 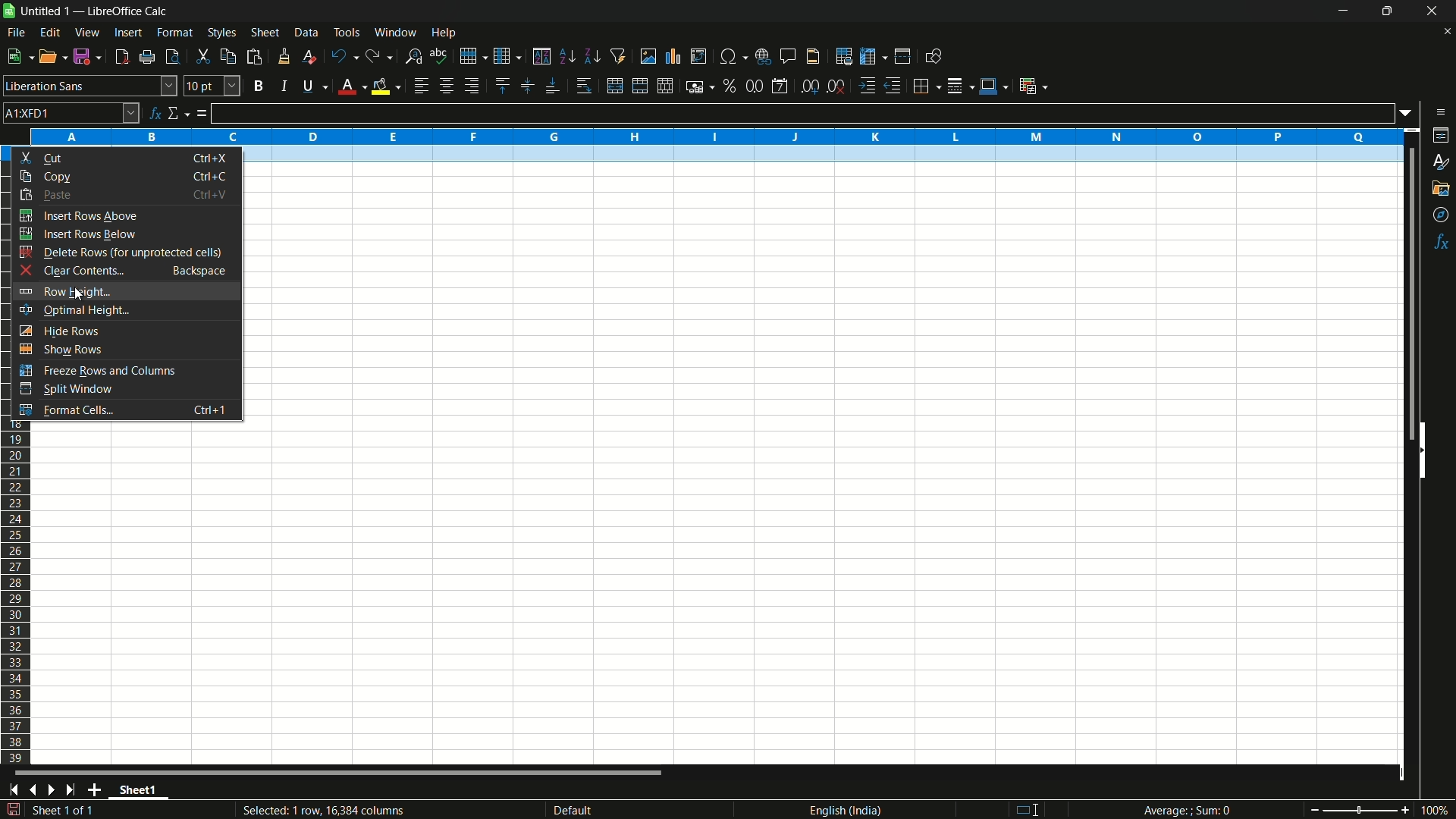 What do you see at coordinates (90, 86) in the screenshot?
I see `font name` at bounding box center [90, 86].